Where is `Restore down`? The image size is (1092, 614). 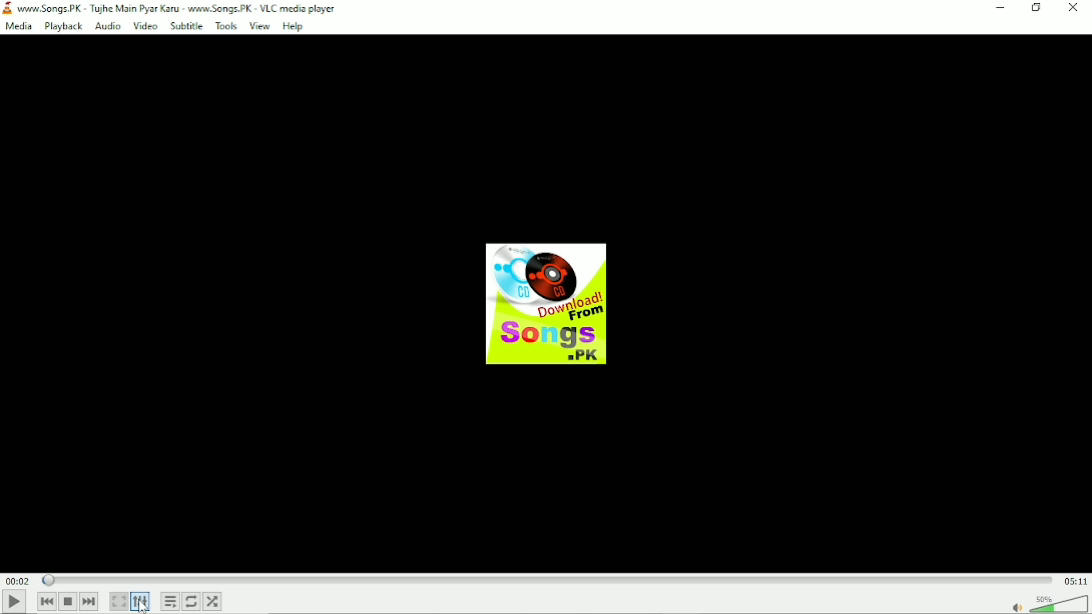
Restore down is located at coordinates (1036, 8).